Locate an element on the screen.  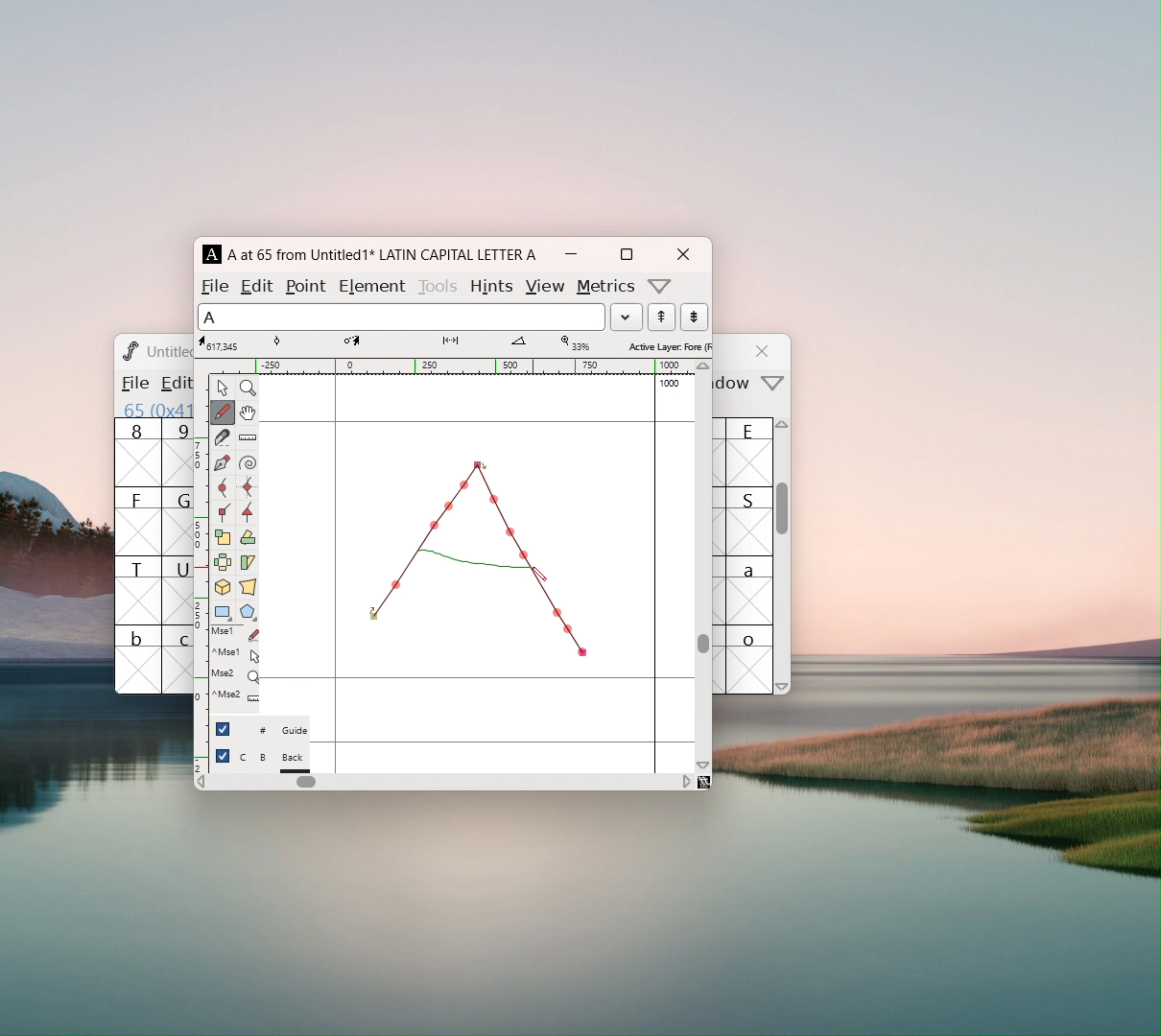
F is located at coordinates (138, 521).